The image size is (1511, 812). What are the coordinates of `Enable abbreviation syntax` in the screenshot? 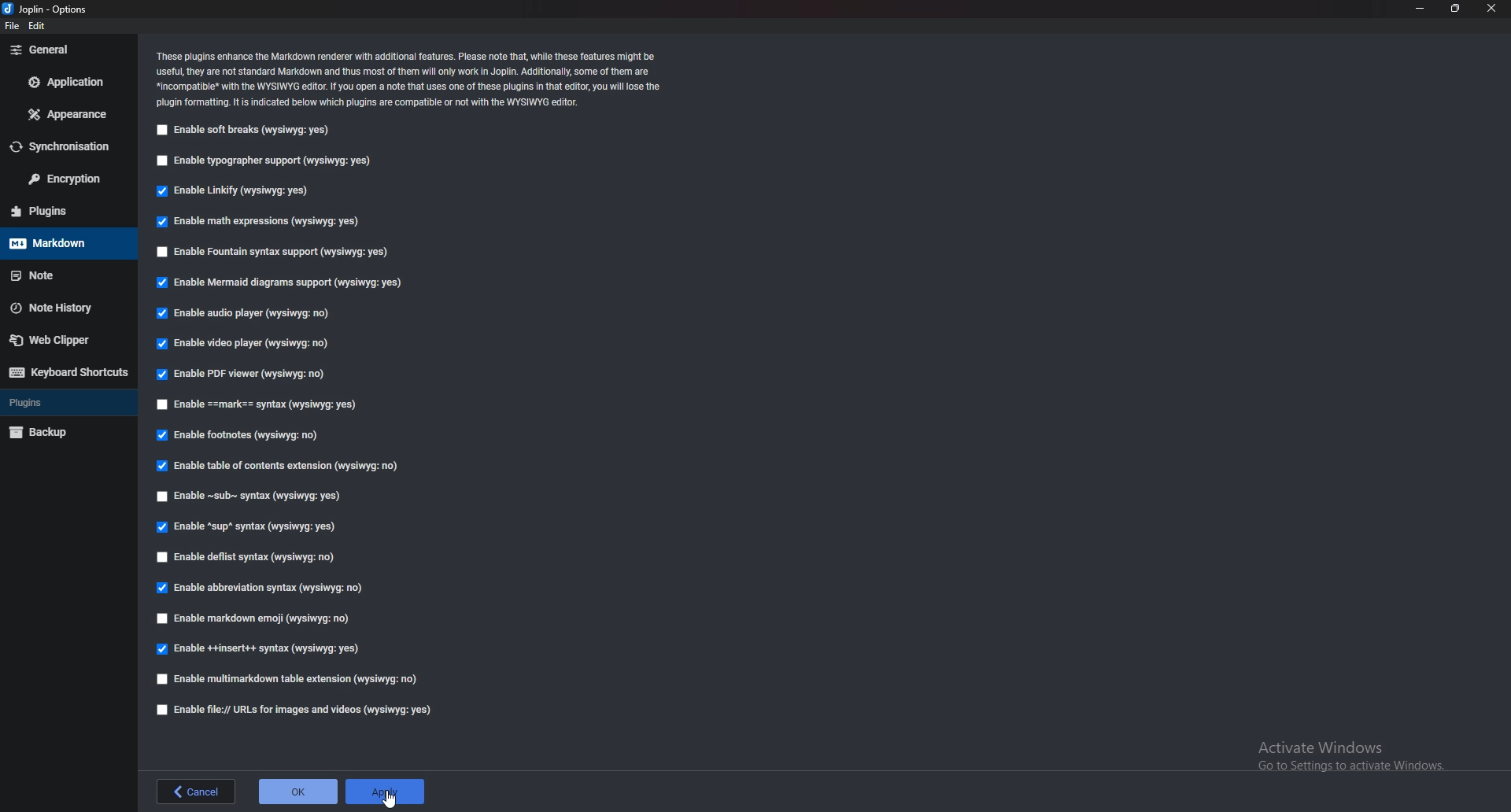 It's located at (271, 585).